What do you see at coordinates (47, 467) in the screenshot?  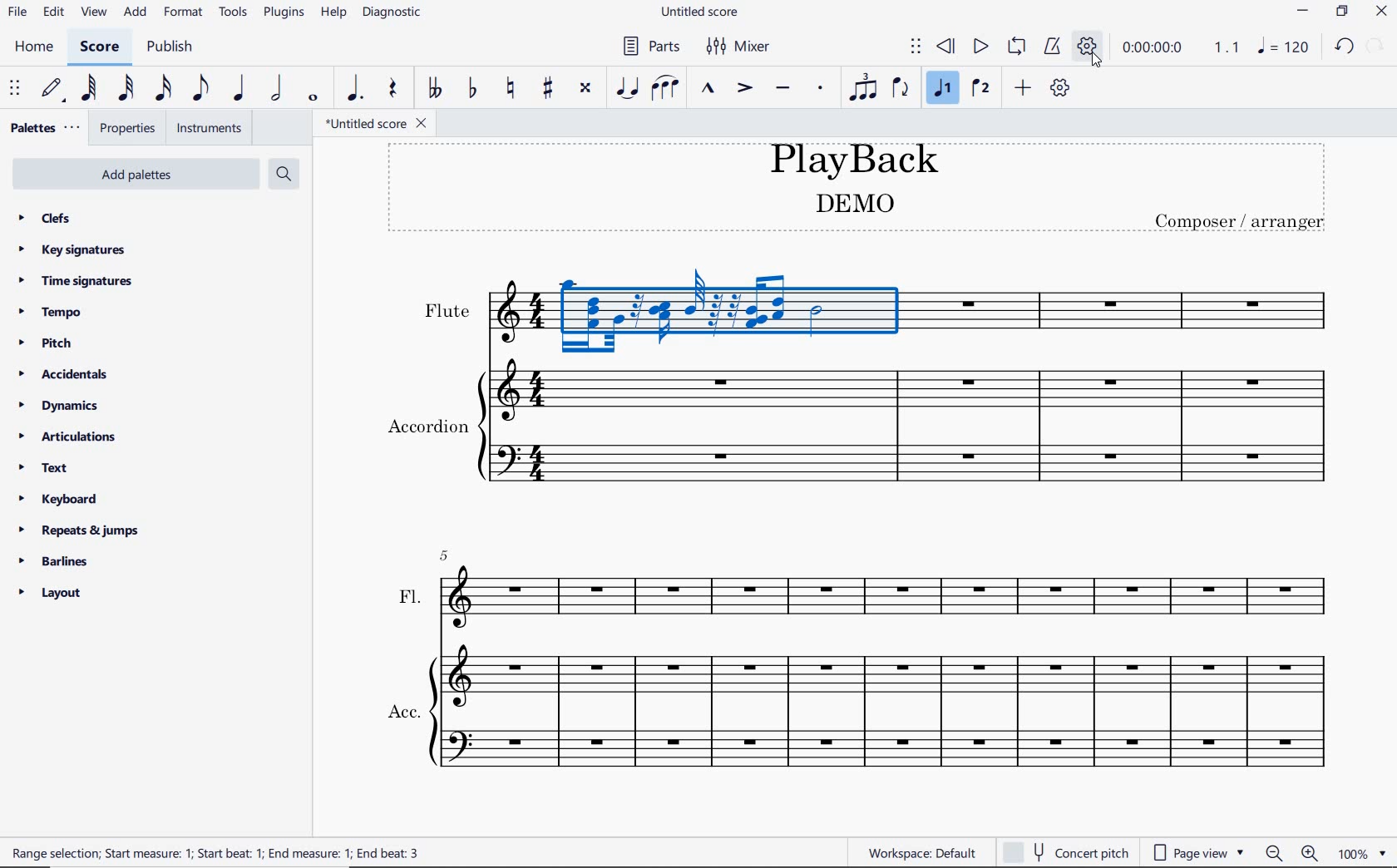 I see `text` at bounding box center [47, 467].